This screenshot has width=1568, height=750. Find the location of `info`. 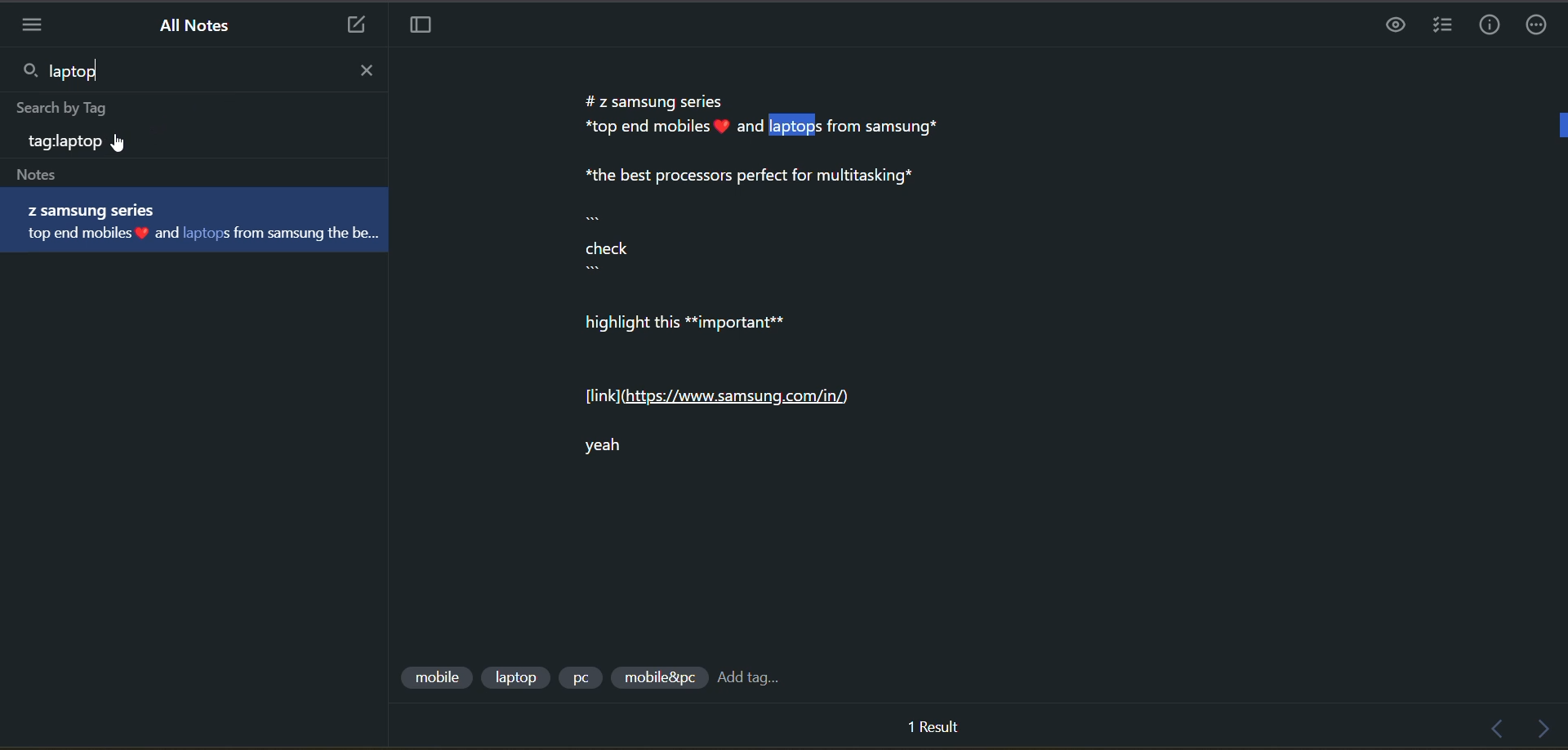

info is located at coordinates (1483, 26).